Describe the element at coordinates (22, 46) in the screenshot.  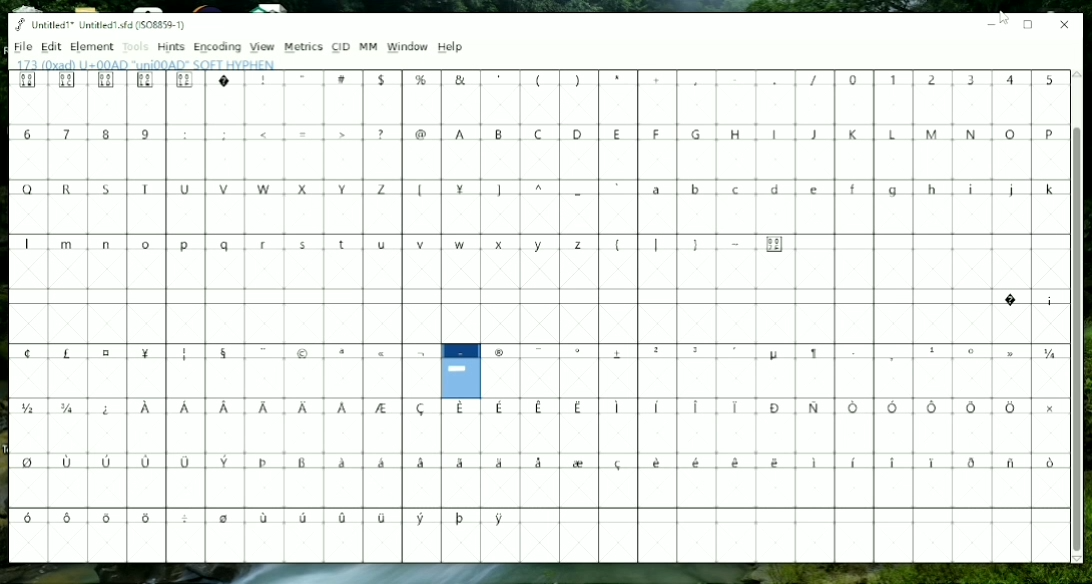
I see `File` at that location.